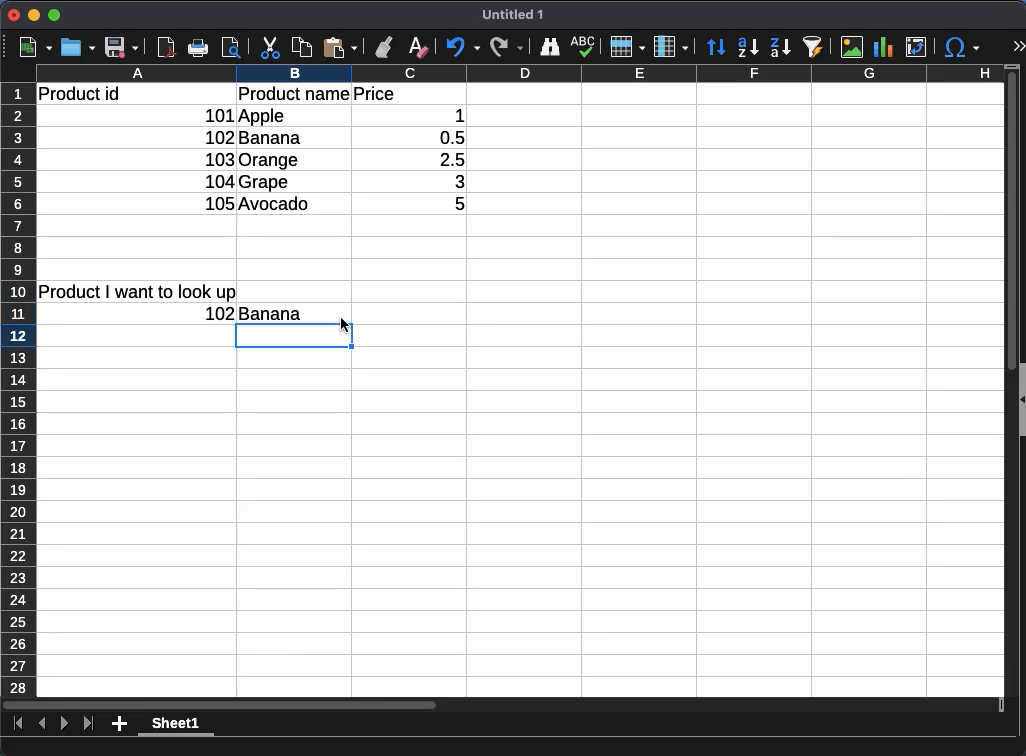 The image size is (1026, 756). What do you see at coordinates (917, 47) in the screenshot?
I see `pivot table` at bounding box center [917, 47].